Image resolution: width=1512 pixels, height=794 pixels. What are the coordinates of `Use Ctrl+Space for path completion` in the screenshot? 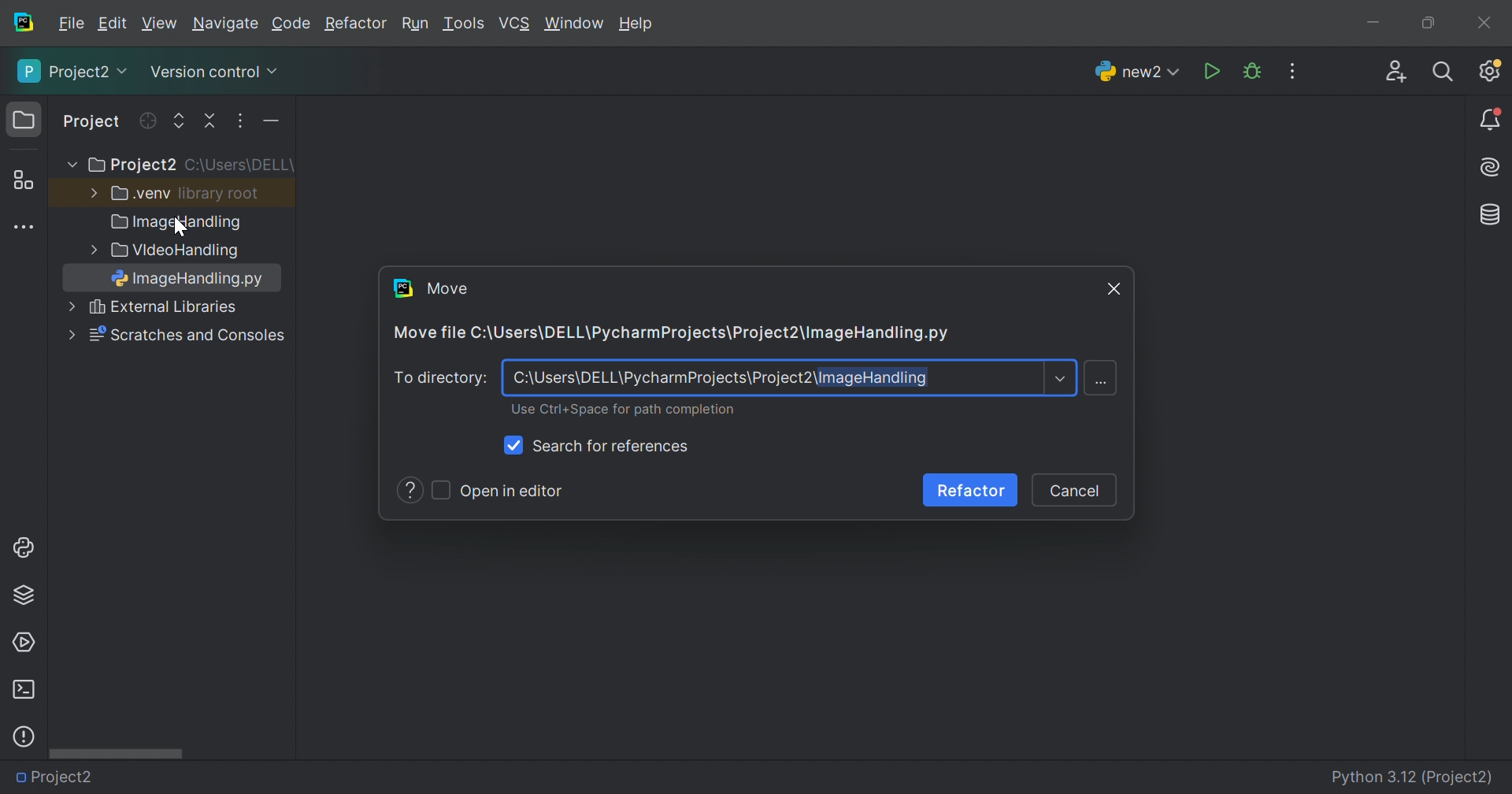 It's located at (617, 410).